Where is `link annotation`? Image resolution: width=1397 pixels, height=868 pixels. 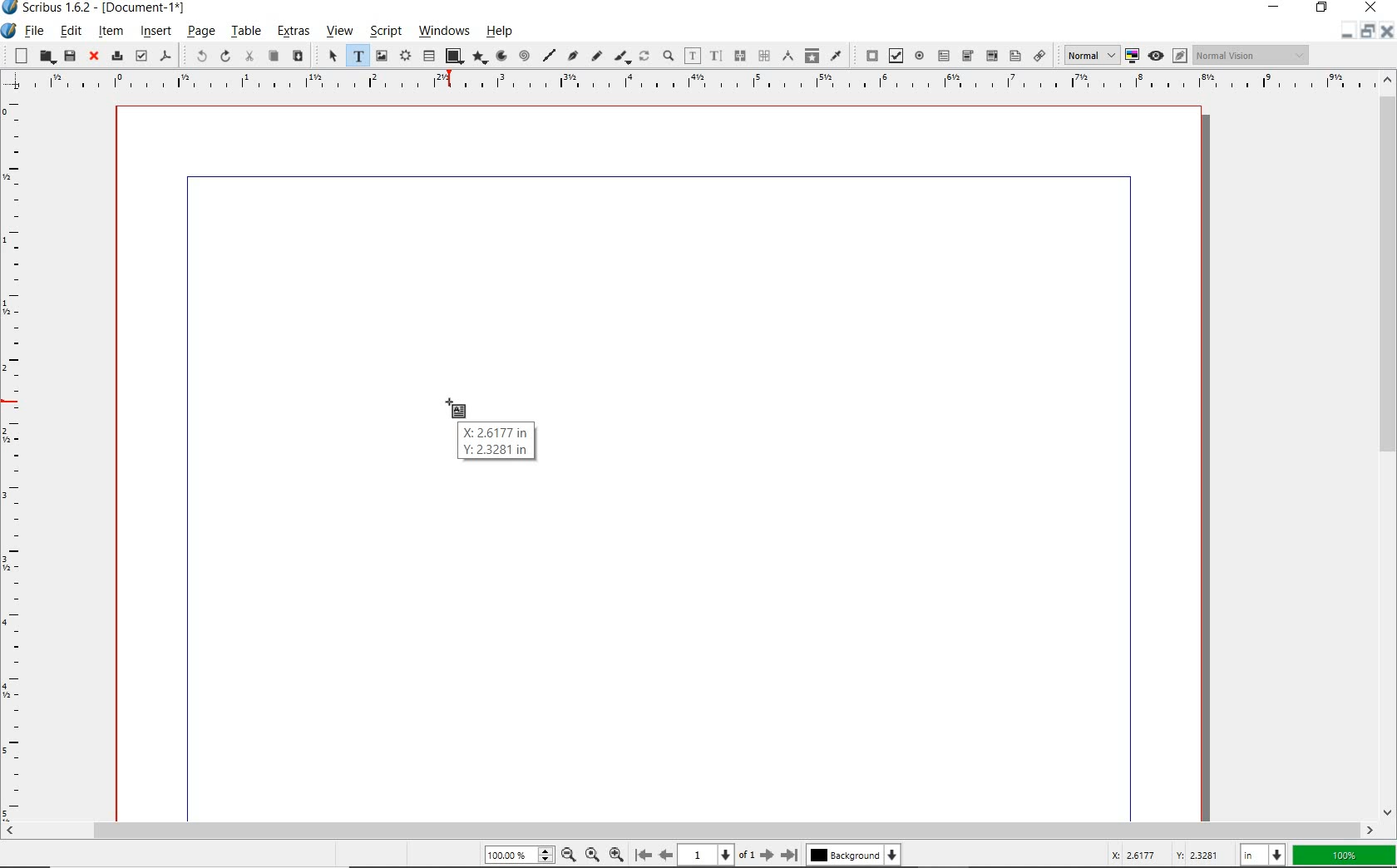
link annotation is located at coordinates (1041, 57).